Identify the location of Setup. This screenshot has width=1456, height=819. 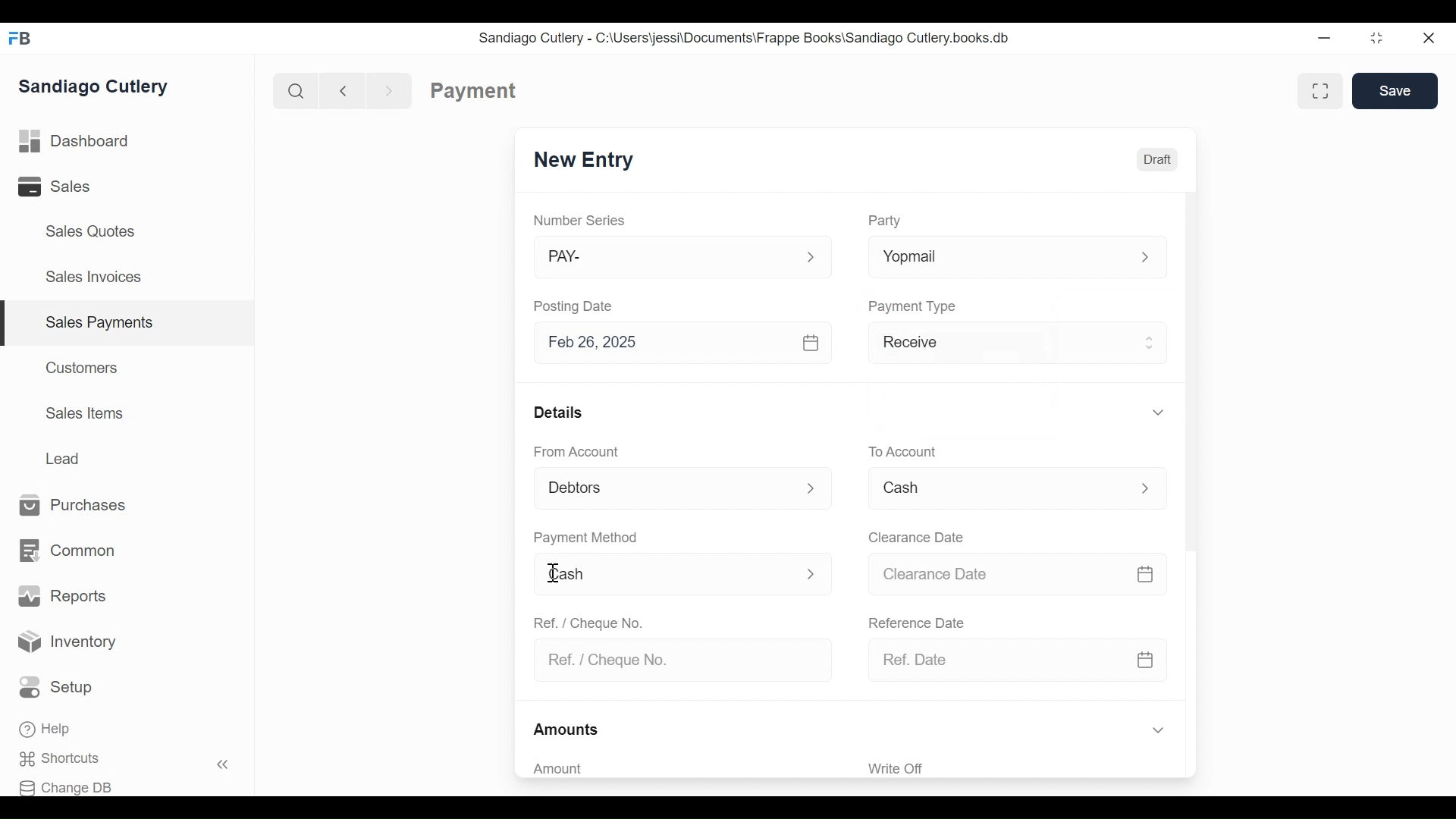
(60, 688).